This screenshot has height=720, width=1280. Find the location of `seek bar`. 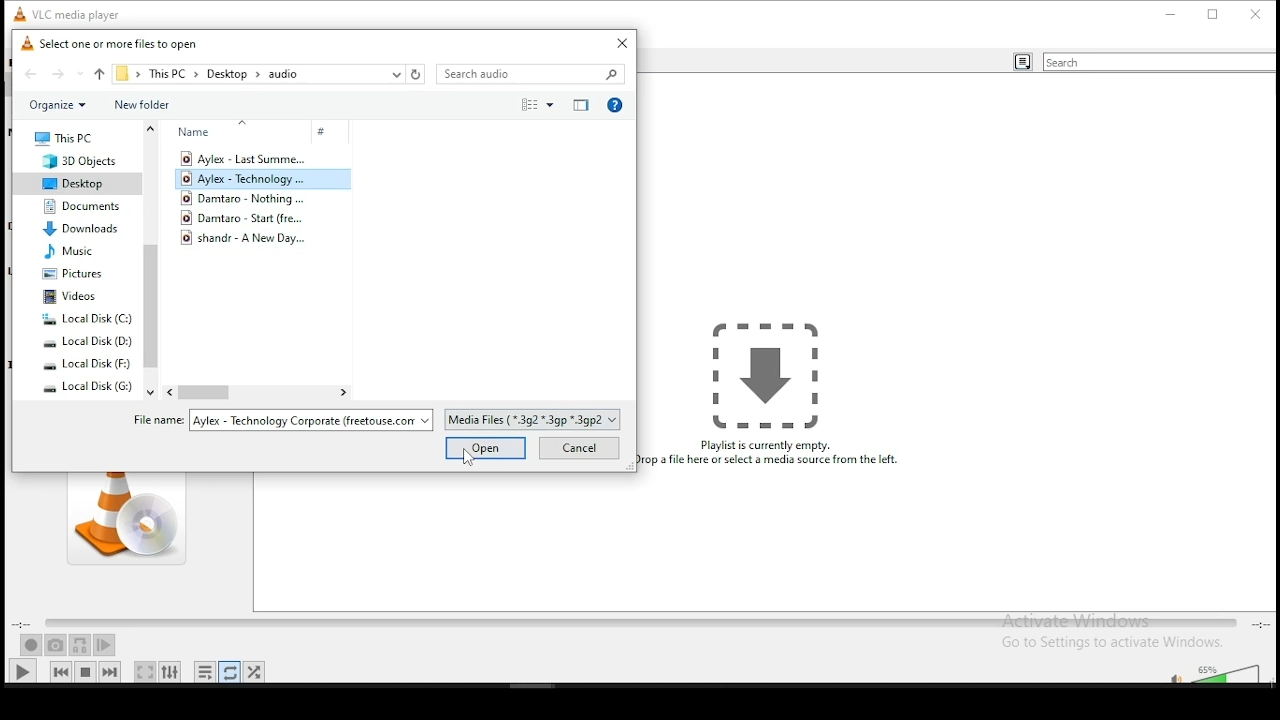

seek bar is located at coordinates (640, 624).